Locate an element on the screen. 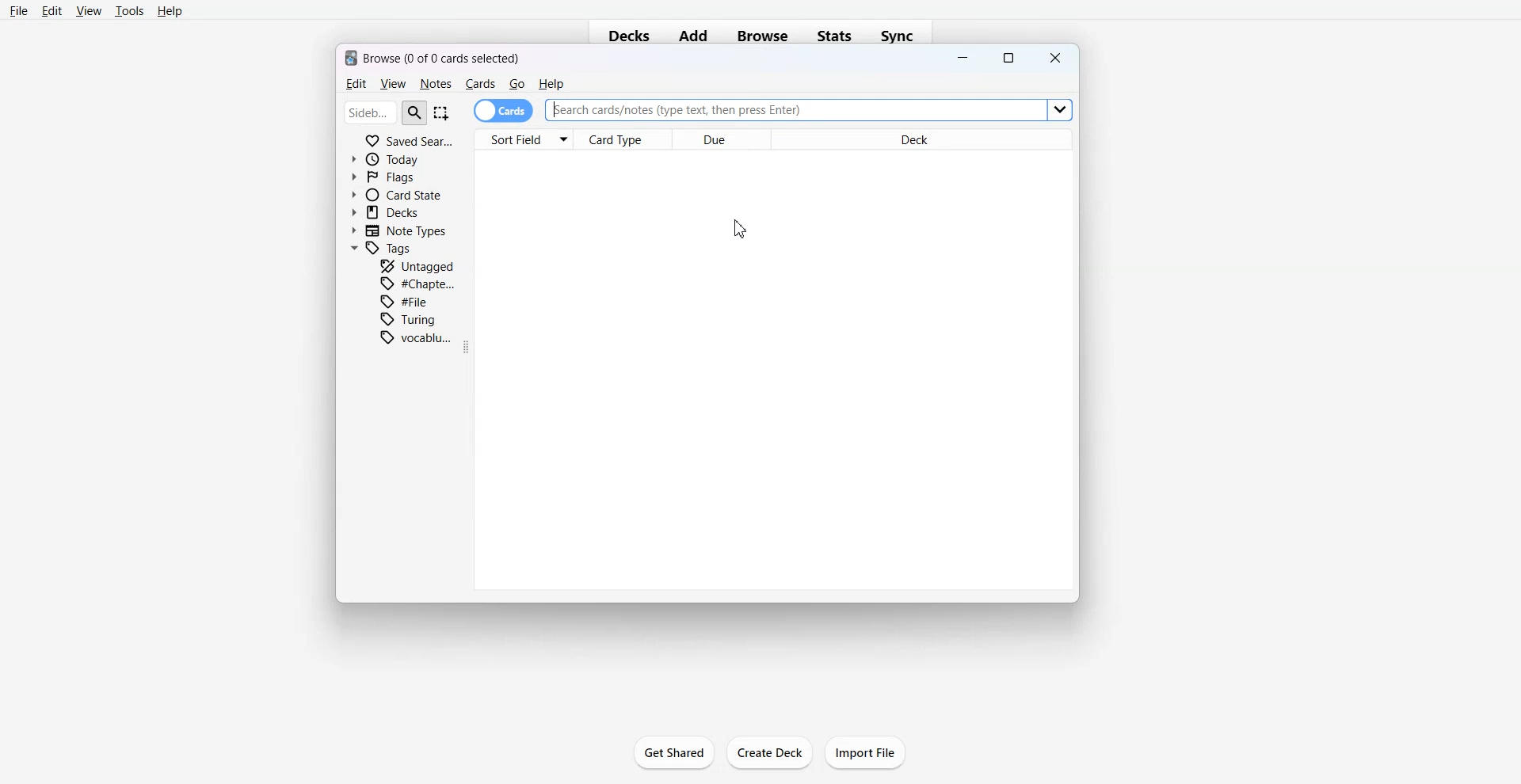 The width and height of the screenshot is (1521, 784). Edit is located at coordinates (52, 10).